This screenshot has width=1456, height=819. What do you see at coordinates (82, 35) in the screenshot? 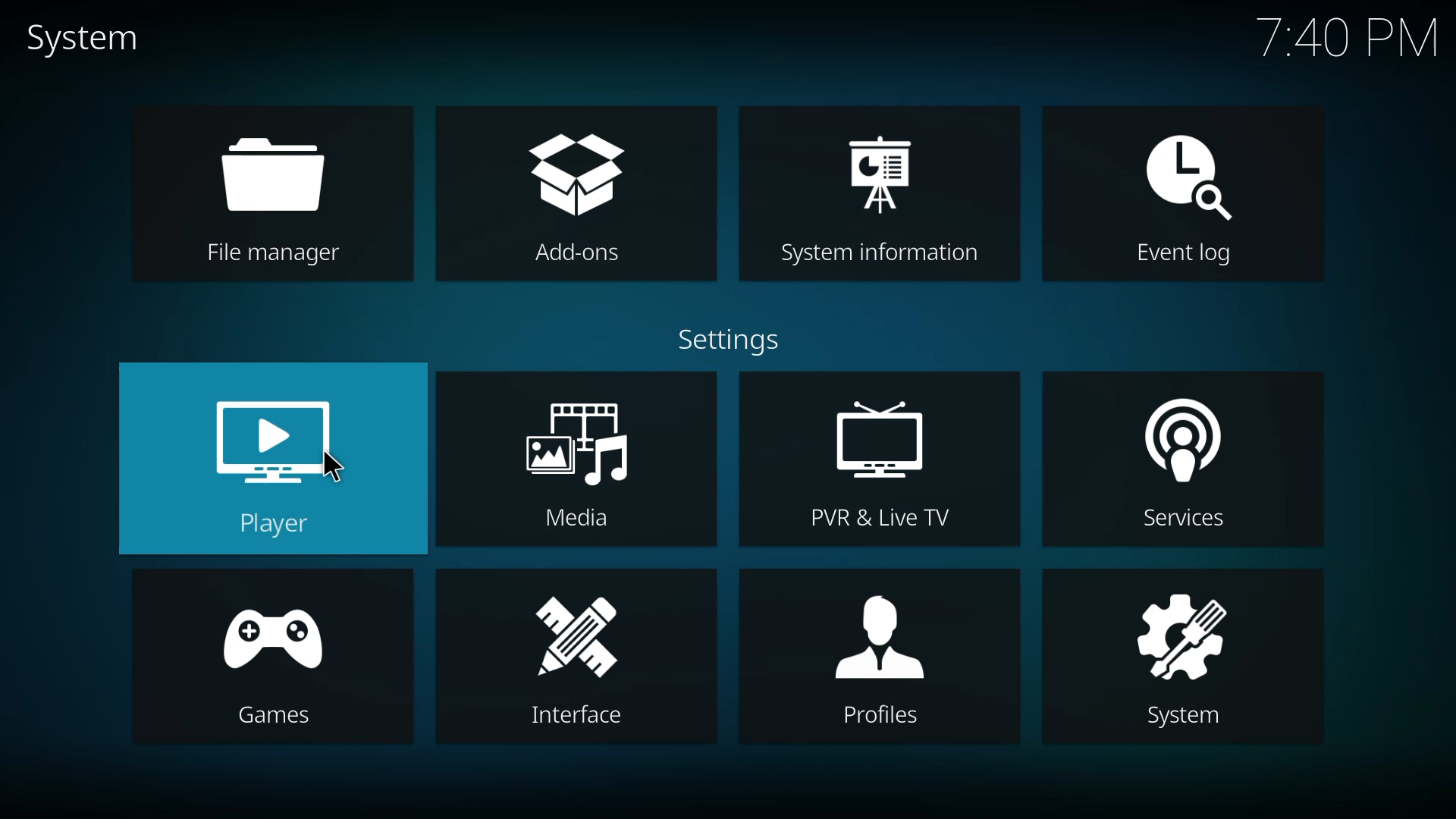
I see `system` at bounding box center [82, 35].